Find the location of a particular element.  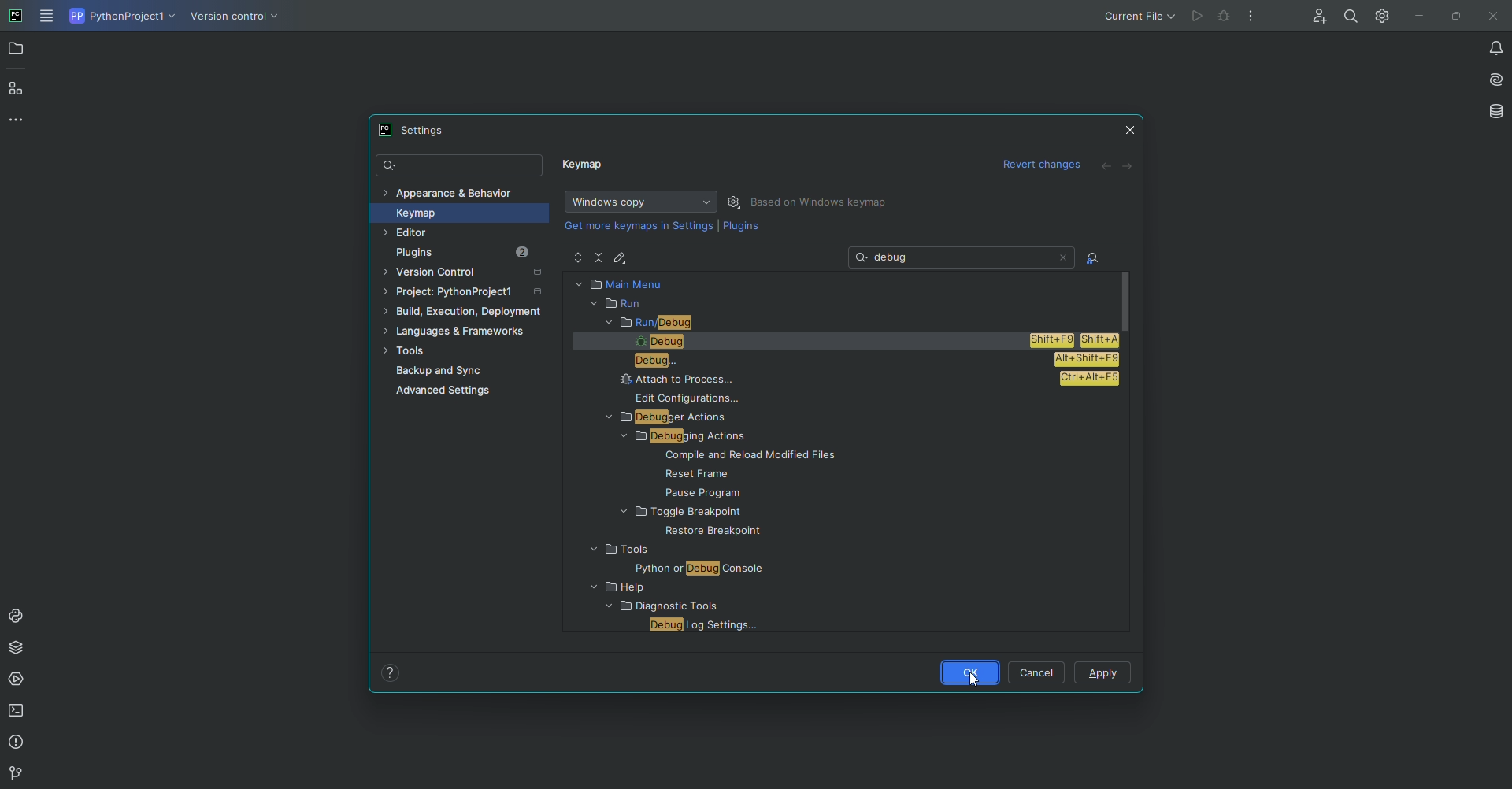

EDIT CONFIGURATIONS is located at coordinates (696, 398).